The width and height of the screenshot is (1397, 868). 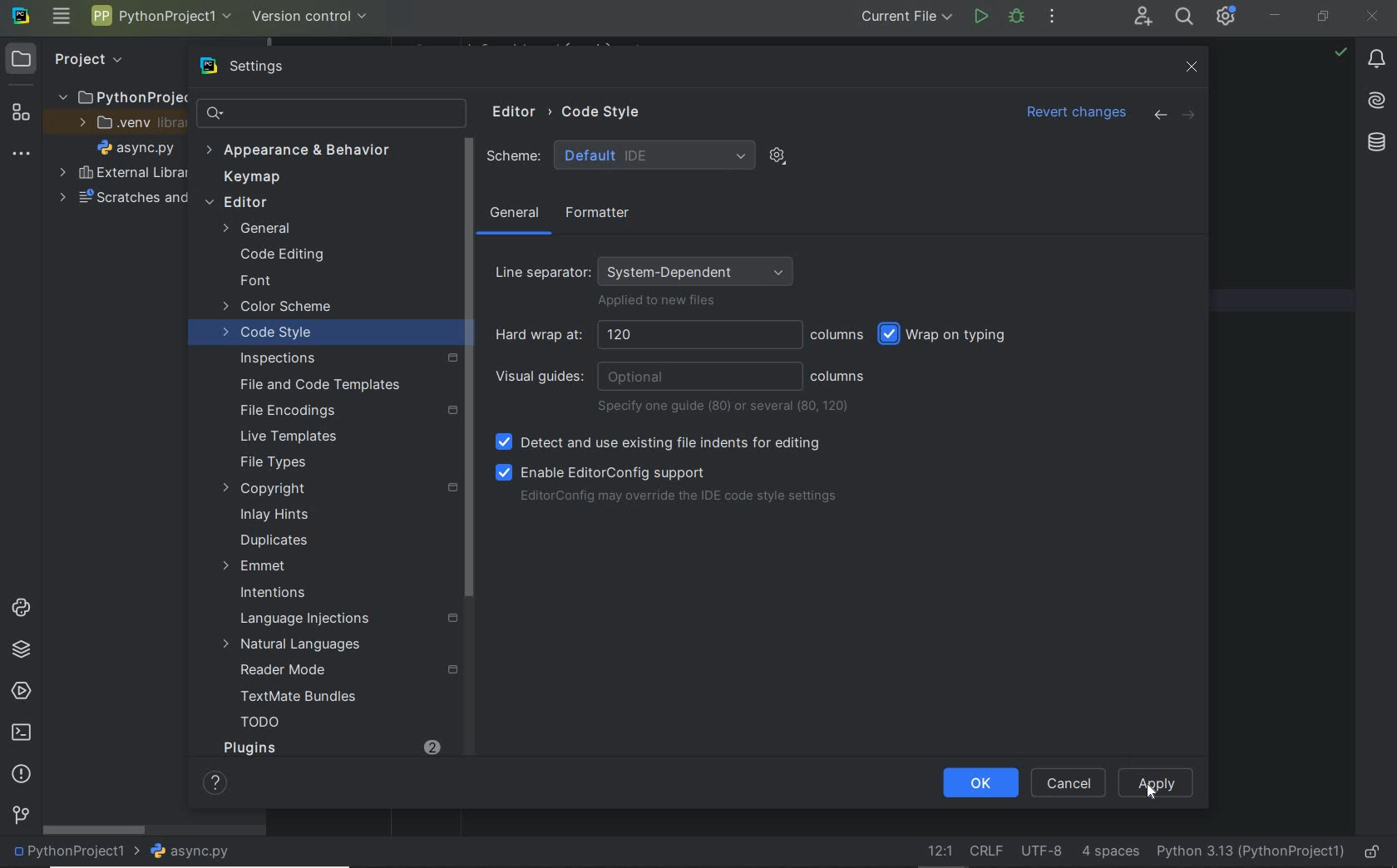 I want to click on keymap, so click(x=254, y=179).